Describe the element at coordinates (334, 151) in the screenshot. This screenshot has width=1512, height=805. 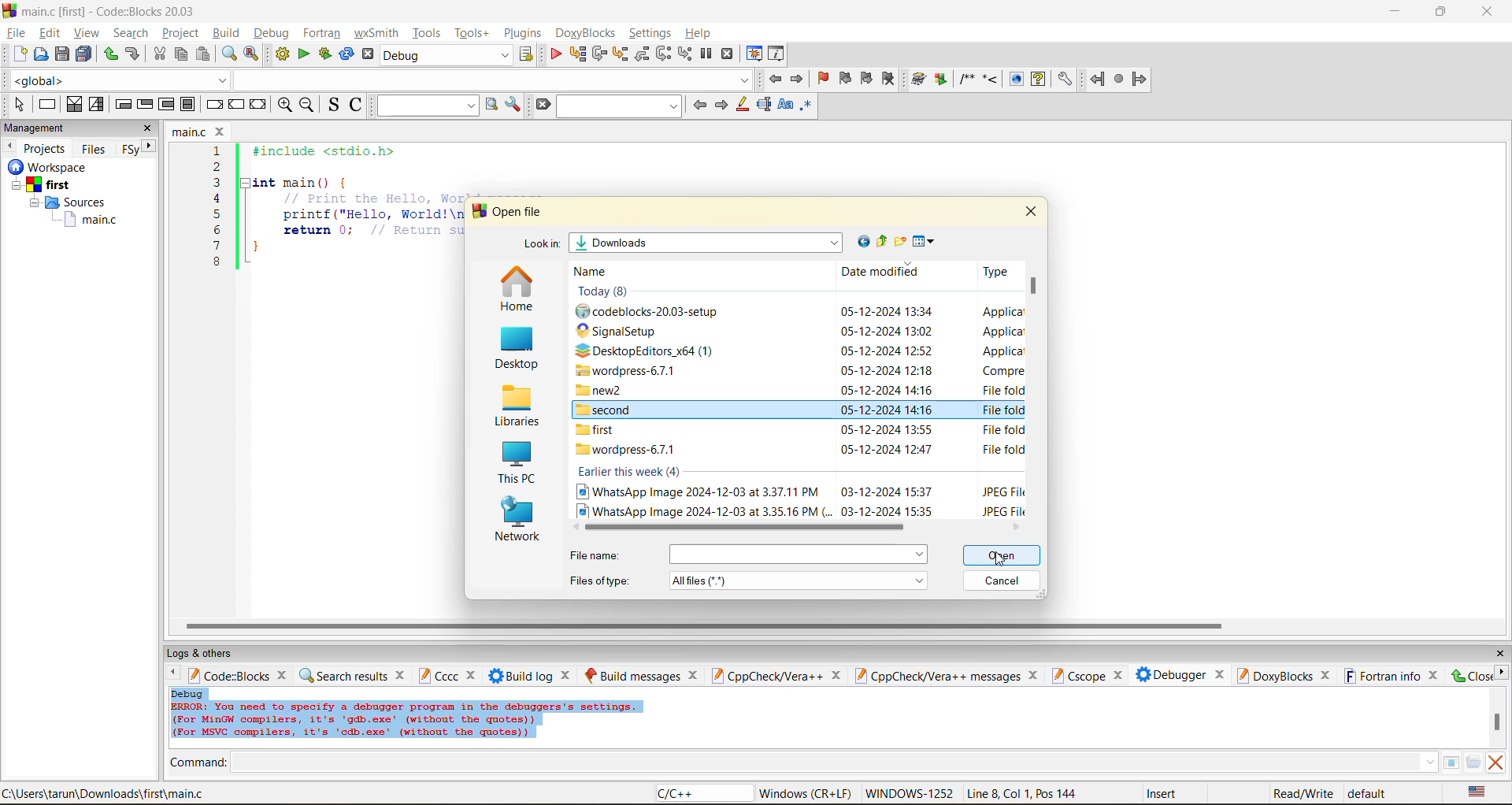
I see `#include <stdio.h>` at that location.